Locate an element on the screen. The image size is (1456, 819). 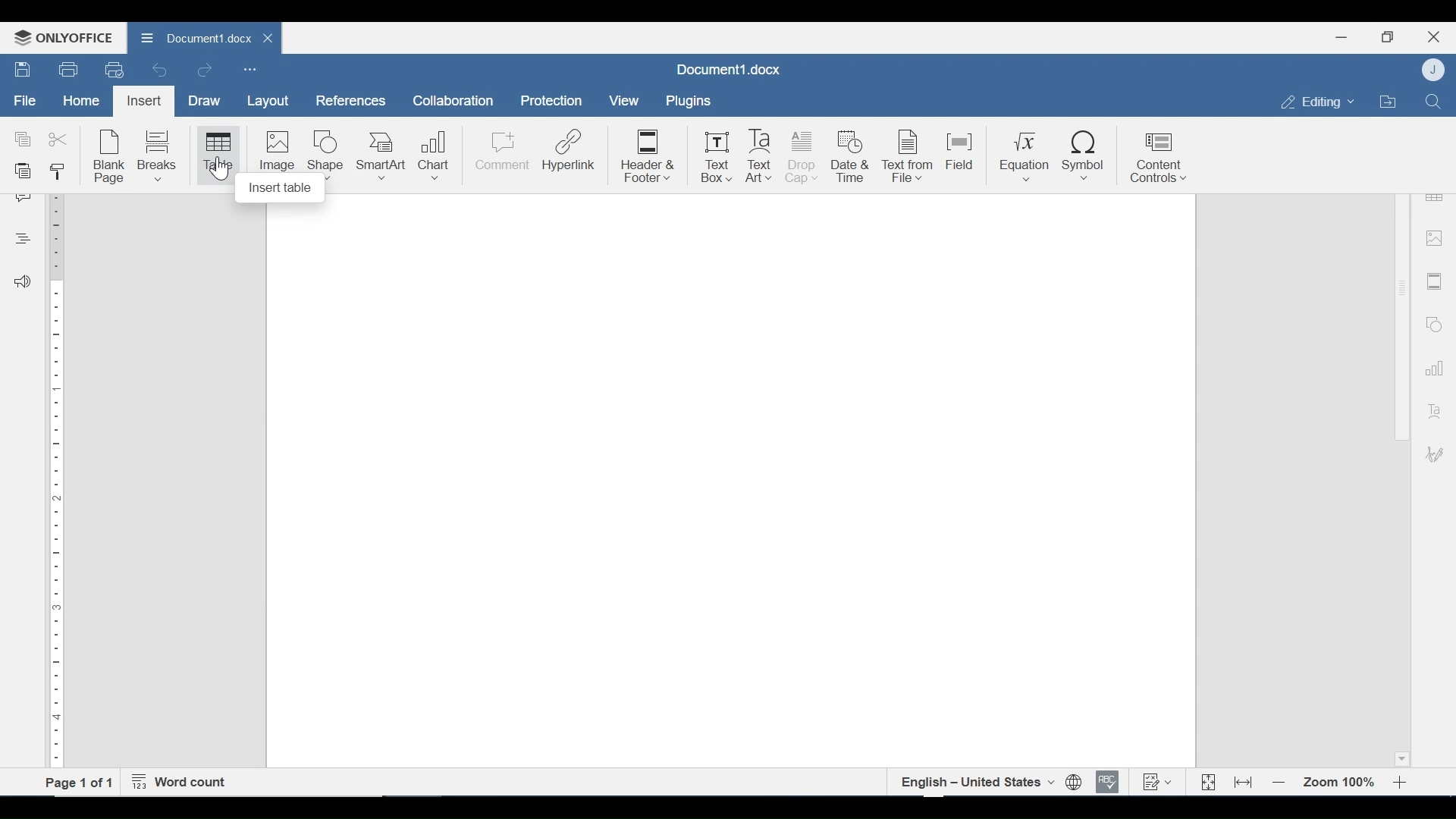
SmartArt is located at coordinates (381, 156).